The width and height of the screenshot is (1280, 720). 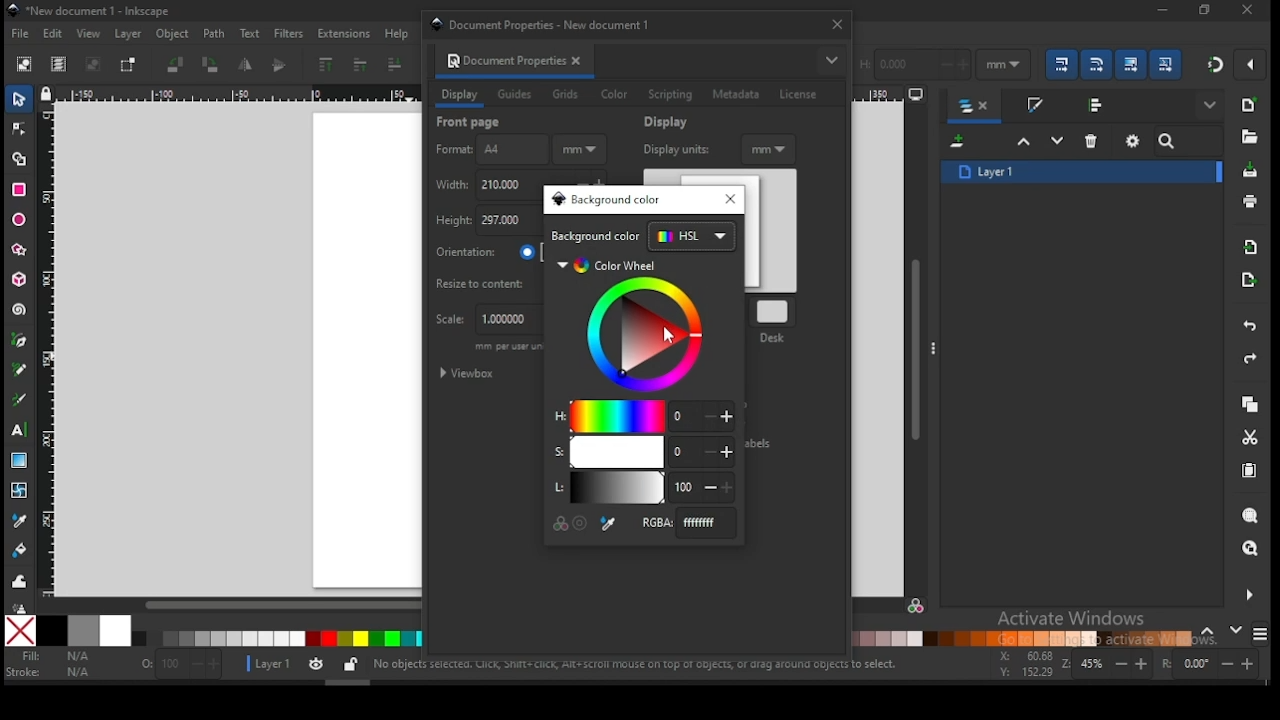 What do you see at coordinates (548, 24) in the screenshot?
I see `document properties window` at bounding box center [548, 24].